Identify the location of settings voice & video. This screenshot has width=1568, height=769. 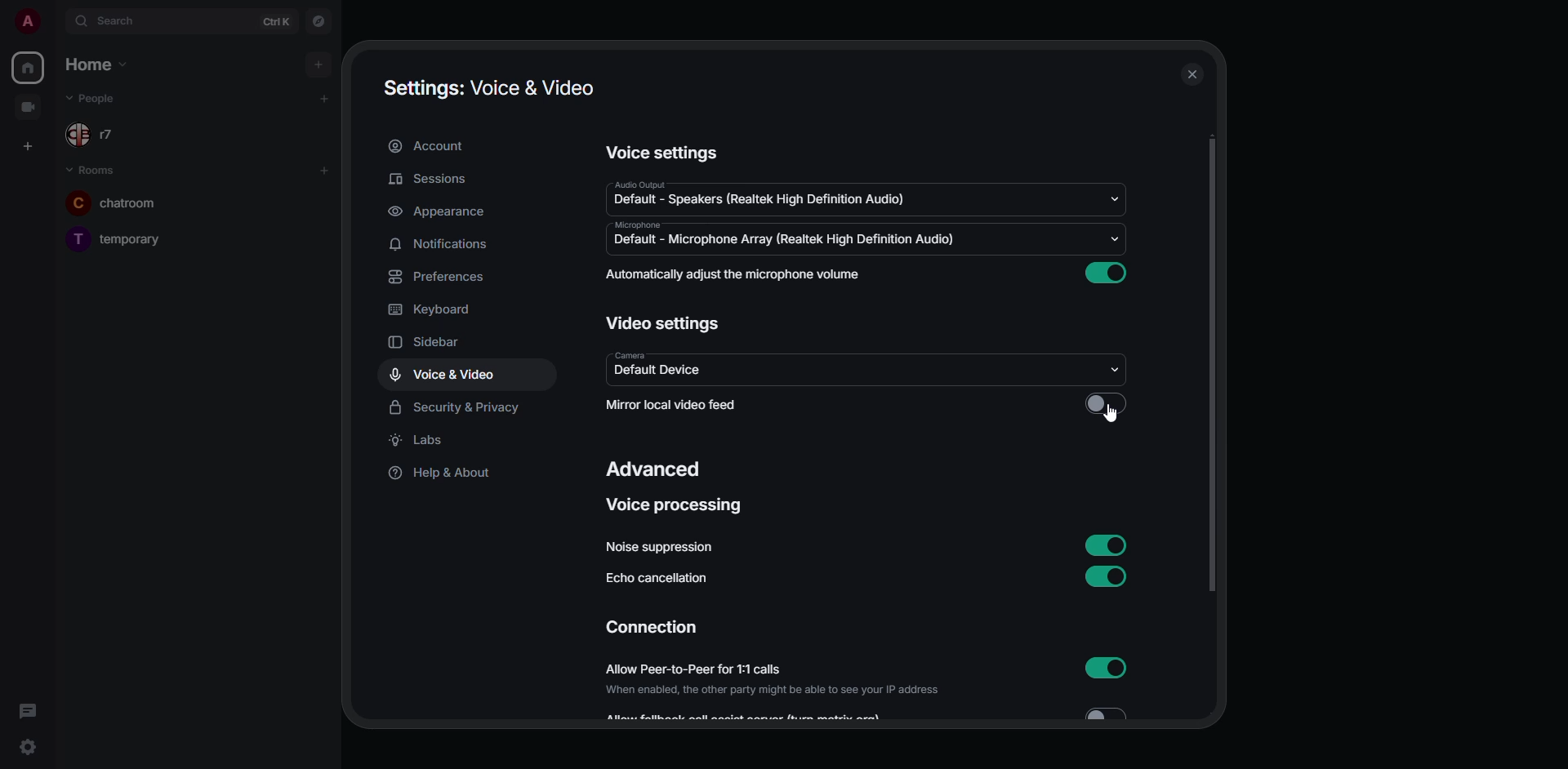
(488, 88).